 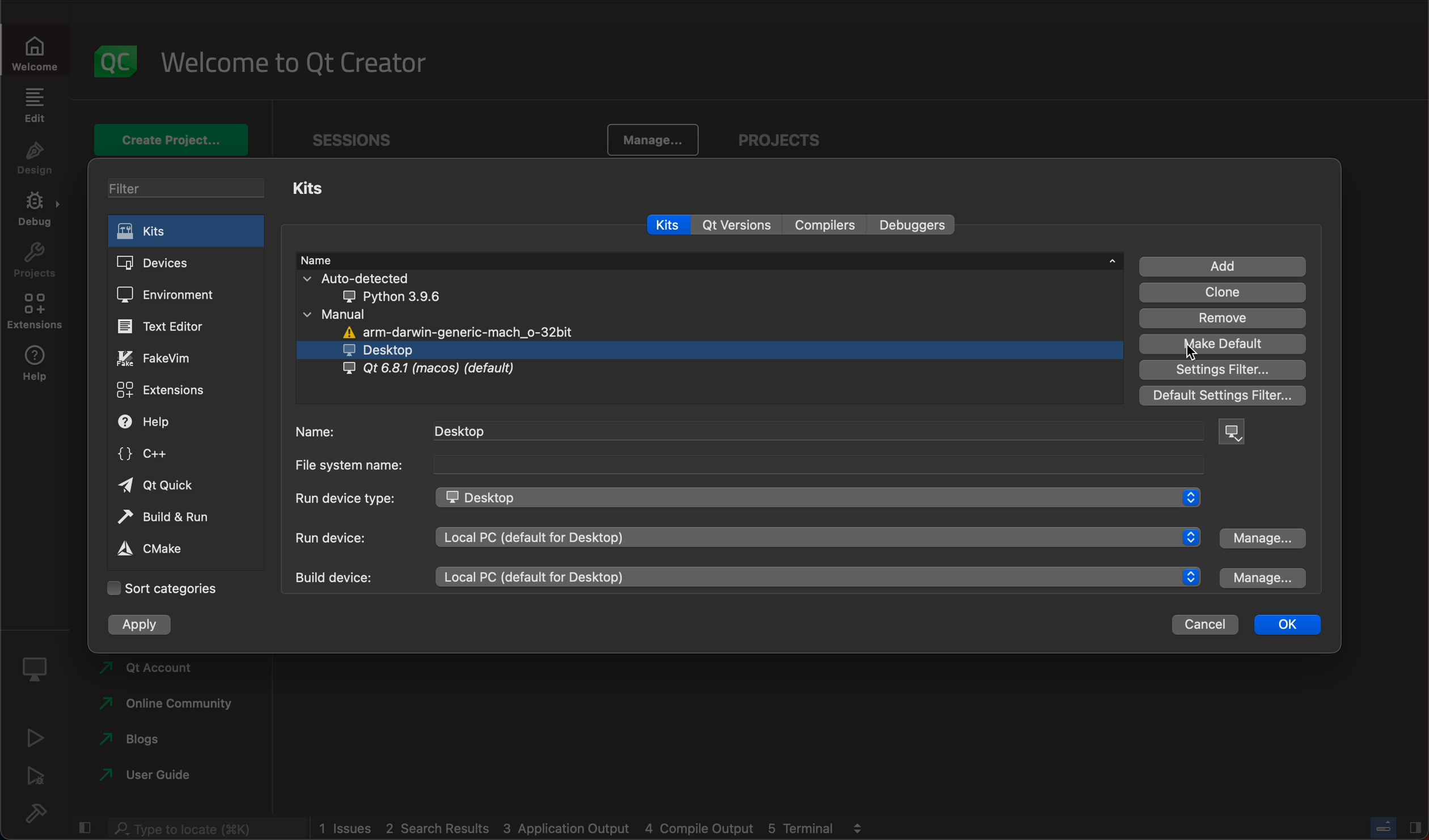 I want to click on local PC (default for desktop), so click(x=813, y=537).